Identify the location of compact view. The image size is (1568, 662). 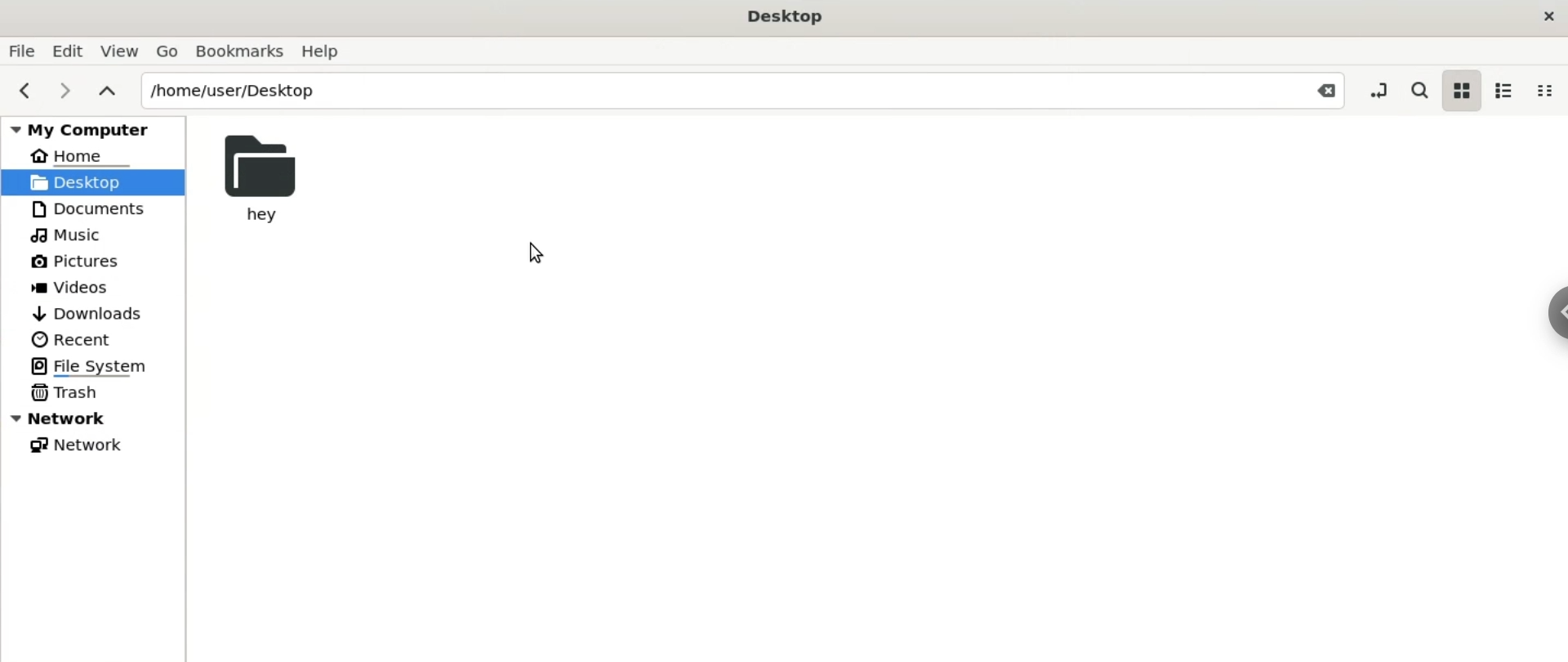
(1548, 92).